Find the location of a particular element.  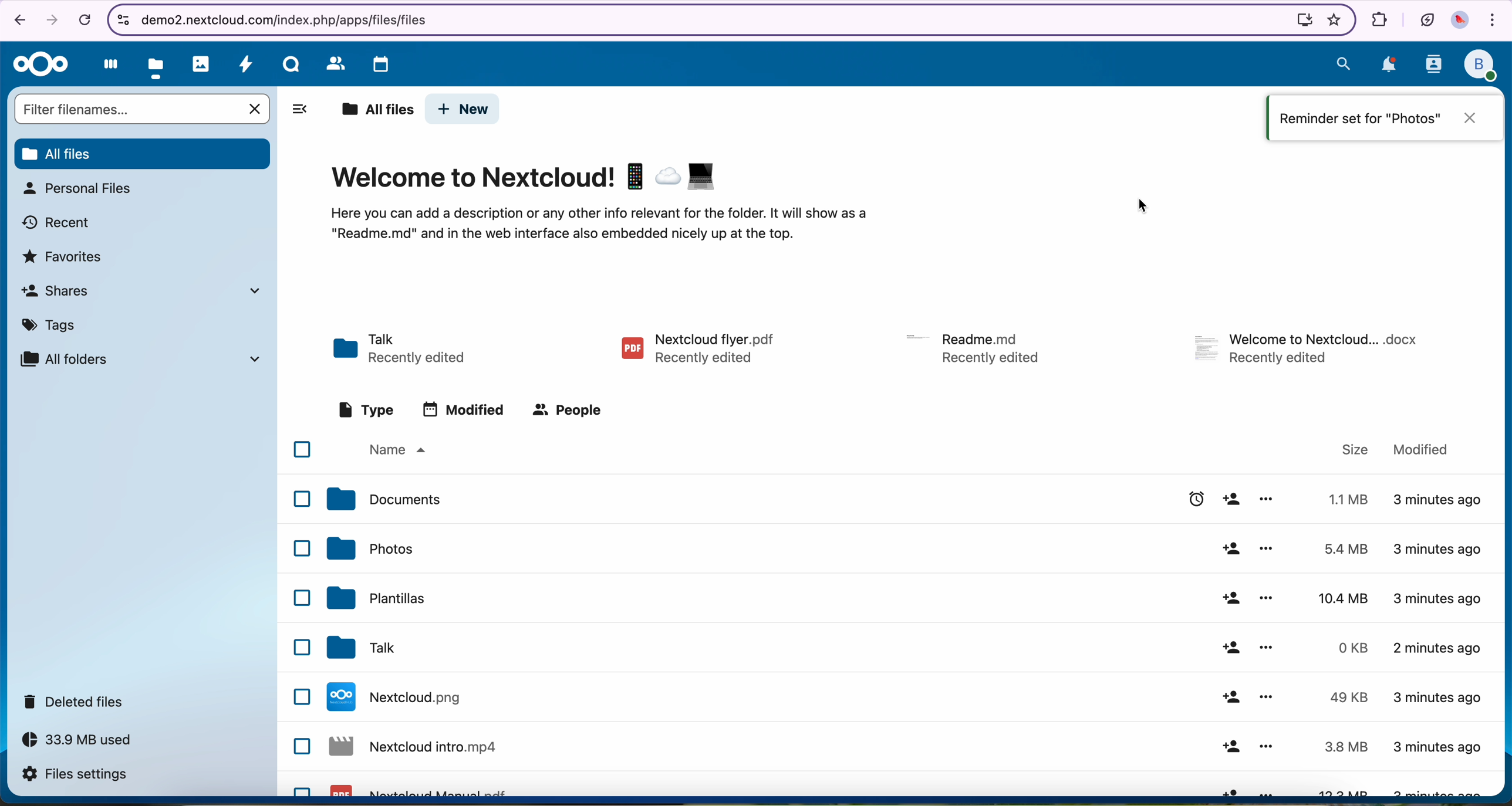

share is located at coordinates (1229, 598).